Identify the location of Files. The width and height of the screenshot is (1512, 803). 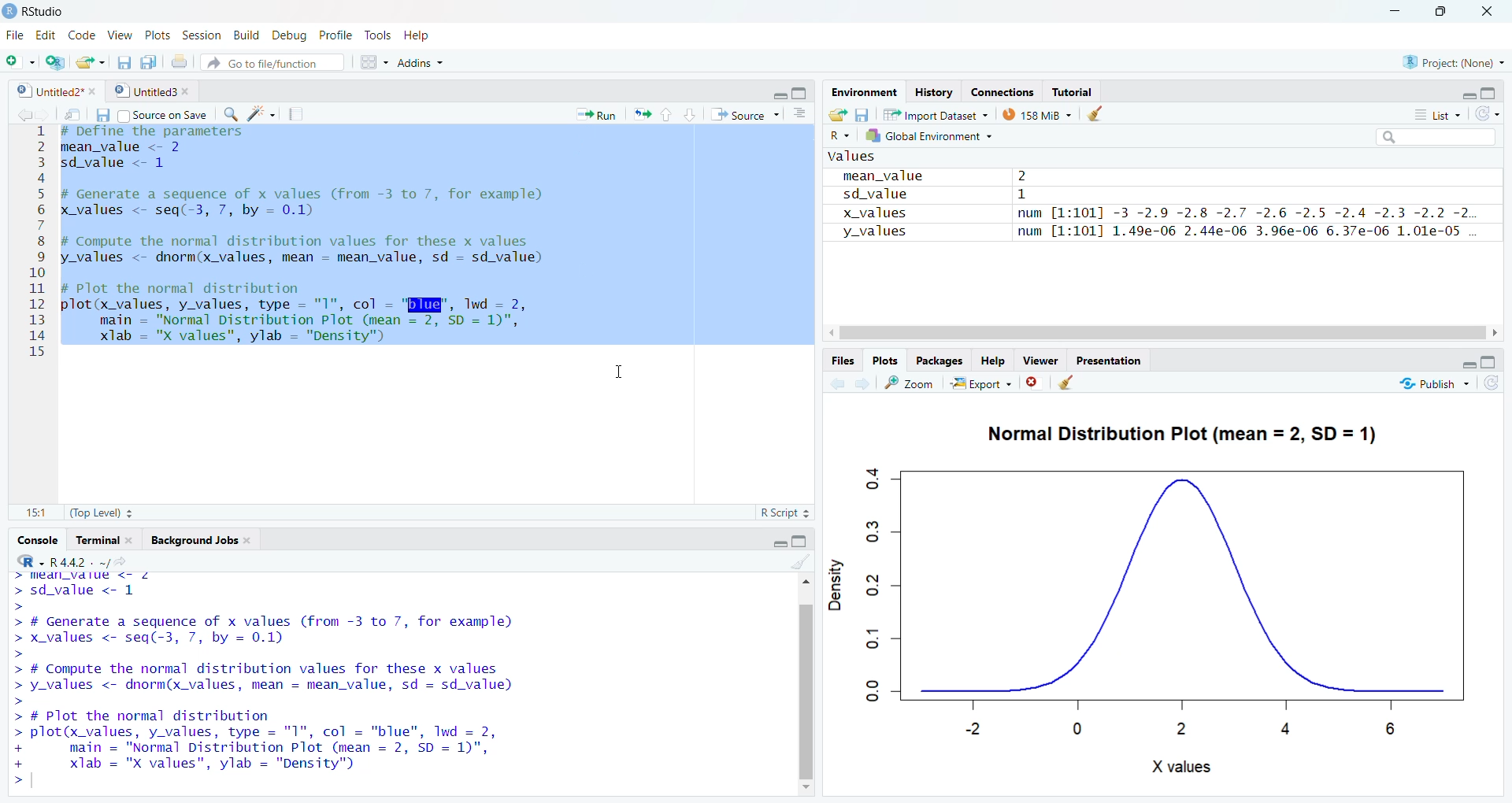
(842, 360).